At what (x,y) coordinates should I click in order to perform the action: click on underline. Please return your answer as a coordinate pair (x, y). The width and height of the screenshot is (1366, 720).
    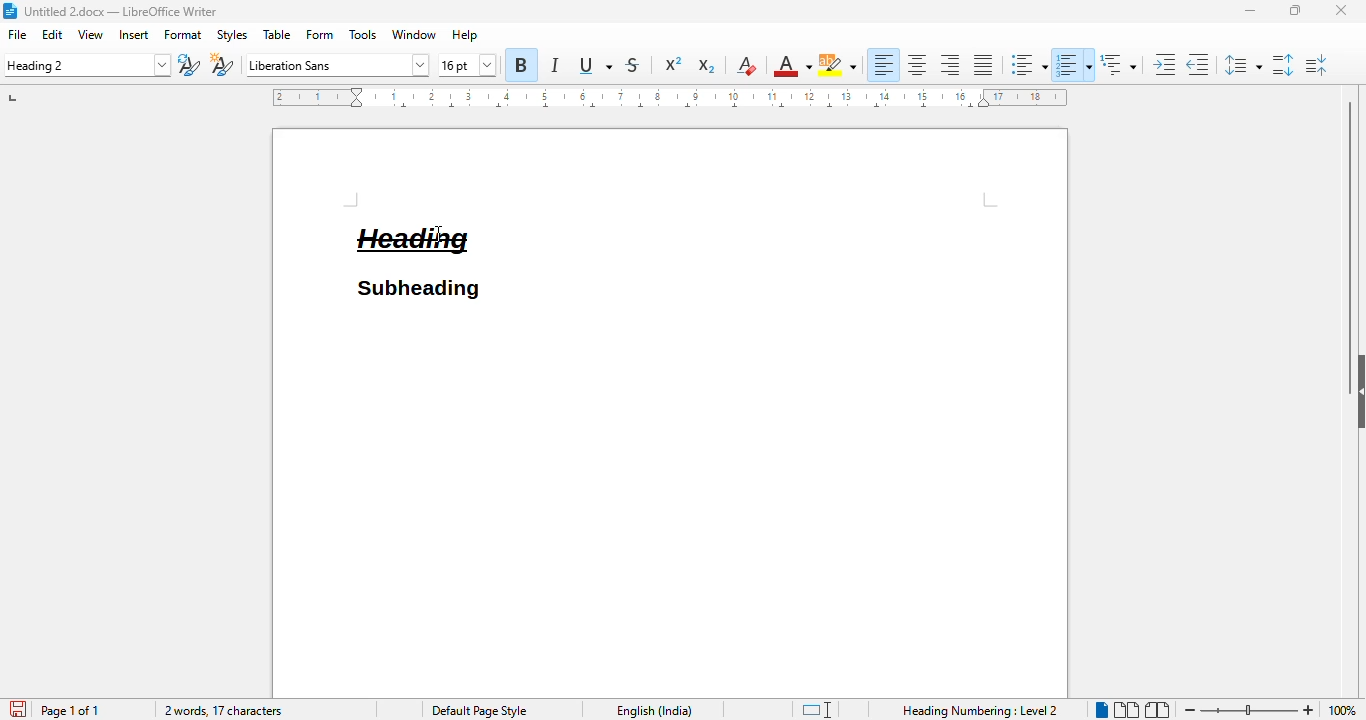
    Looking at the image, I should click on (596, 65).